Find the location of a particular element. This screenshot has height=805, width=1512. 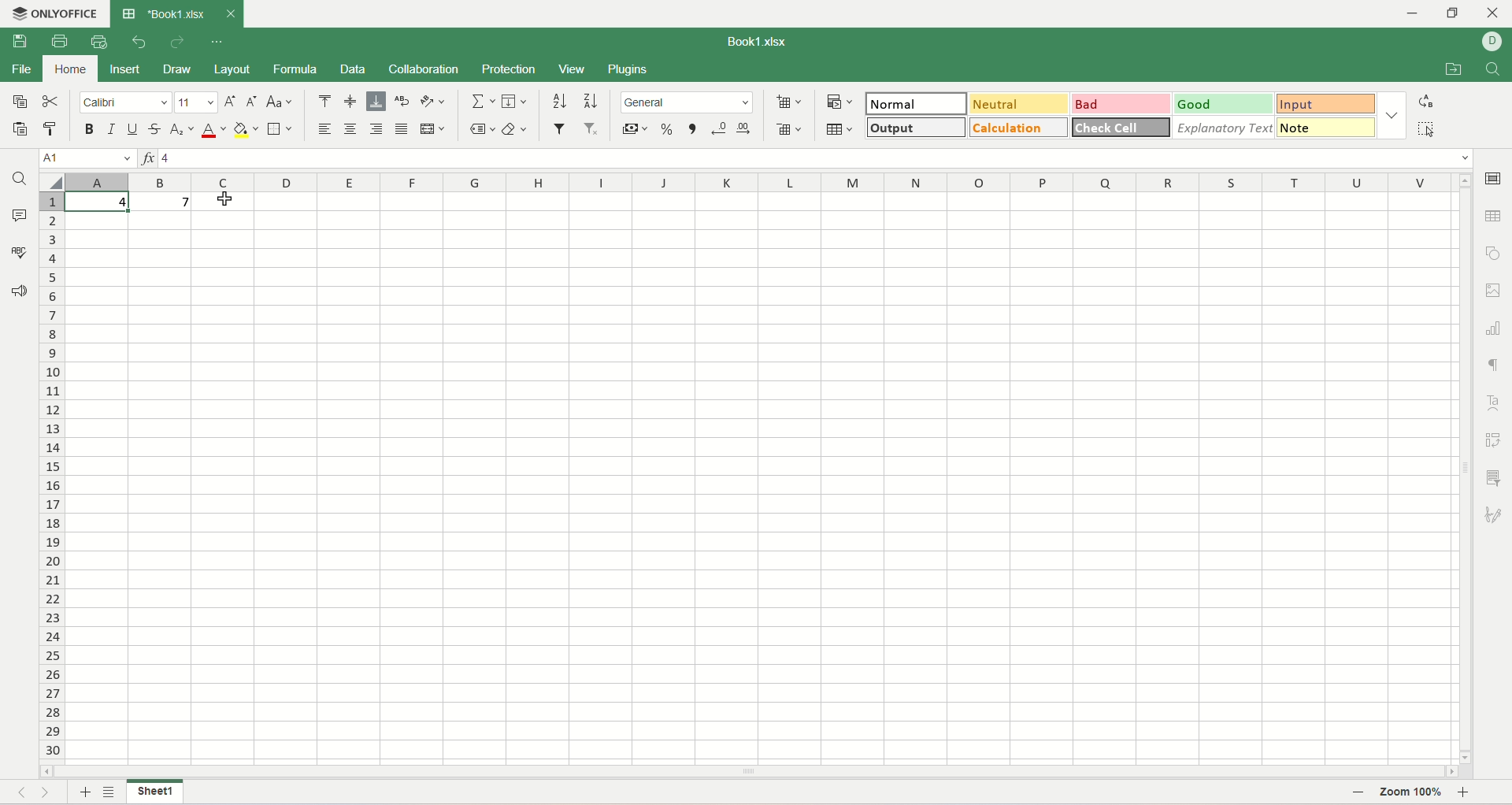

copy is located at coordinates (19, 100).